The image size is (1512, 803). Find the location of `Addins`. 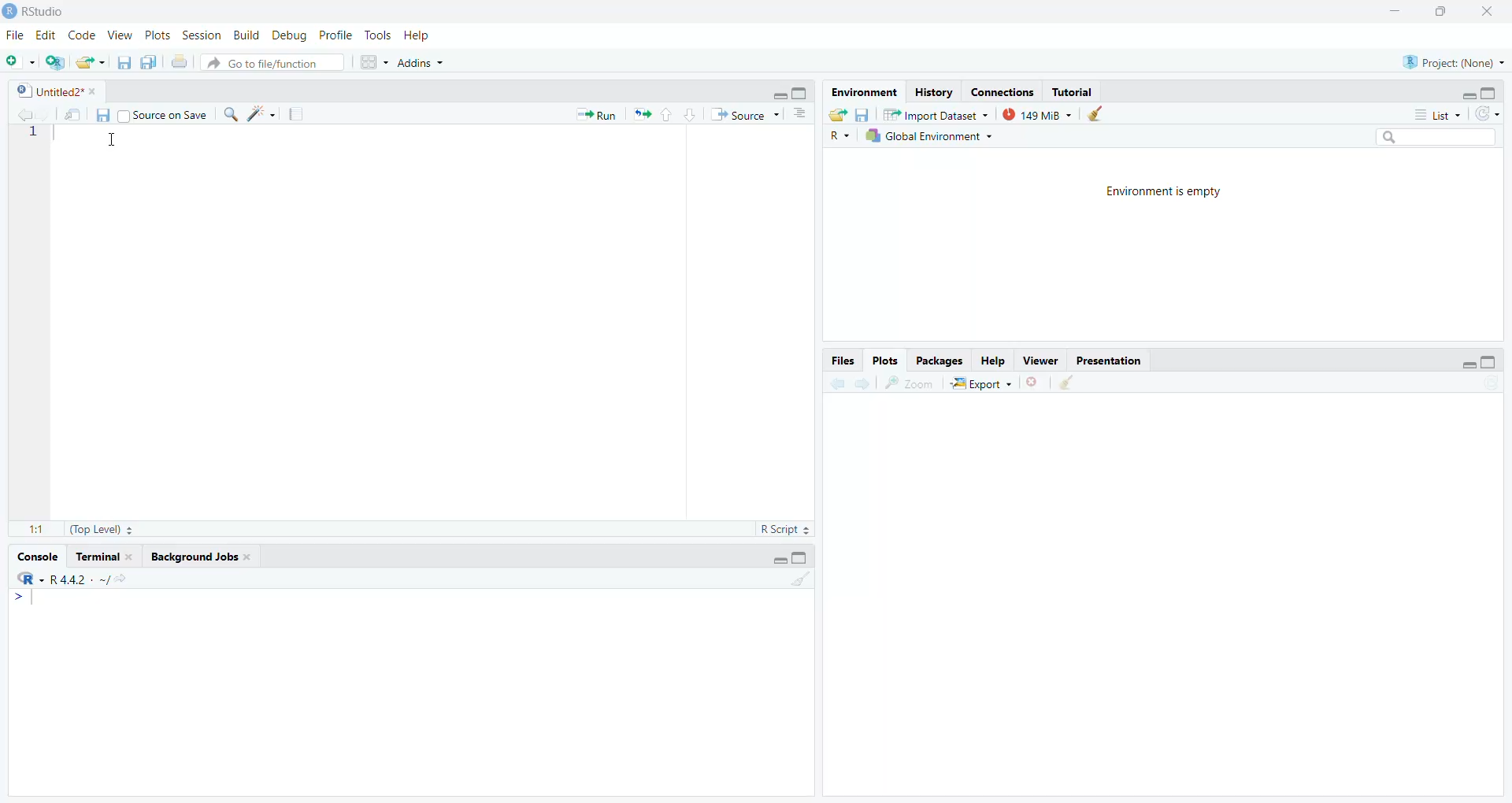

Addins is located at coordinates (423, 62).